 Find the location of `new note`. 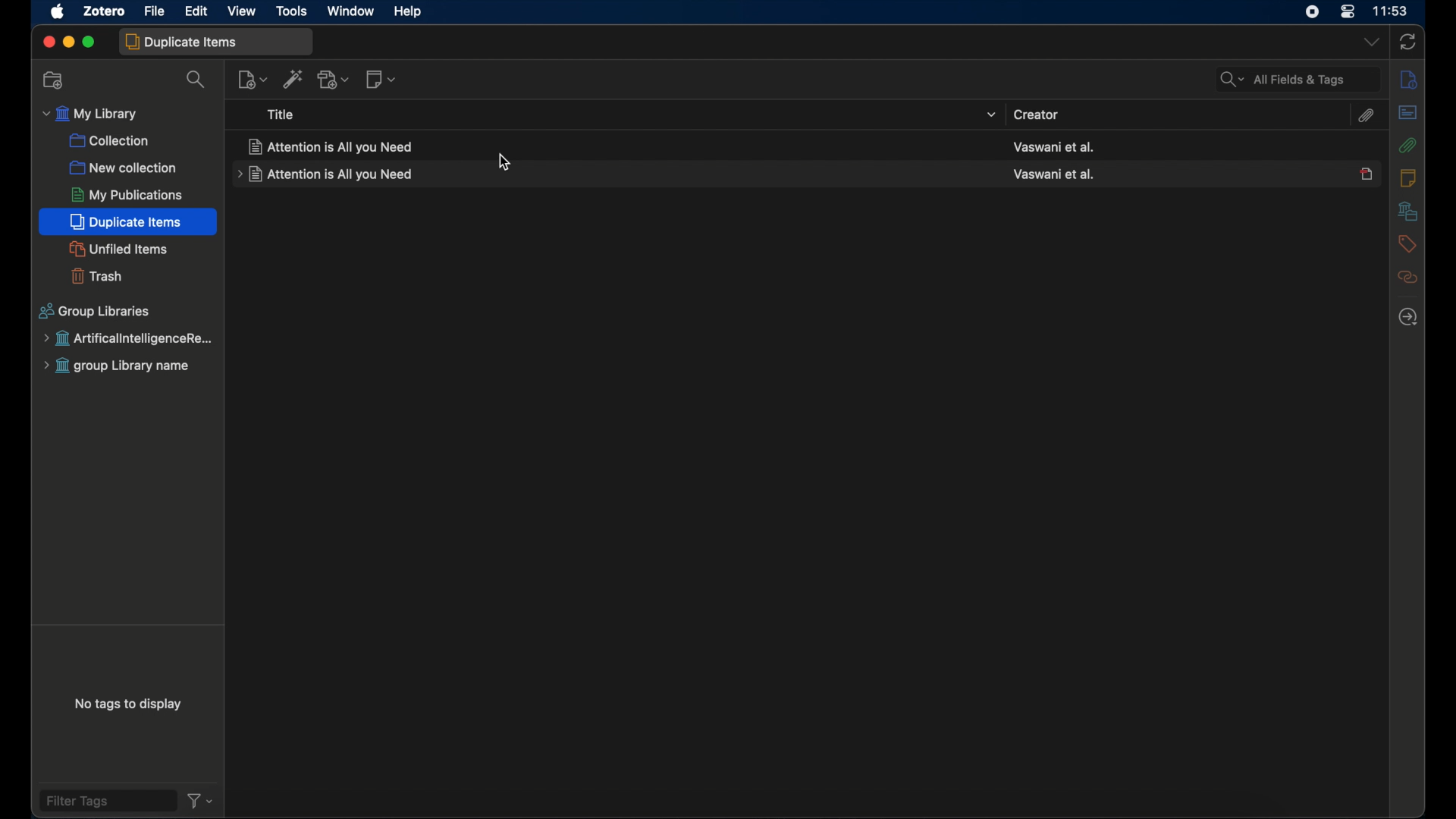

new note is located at coordinates (381, 80).